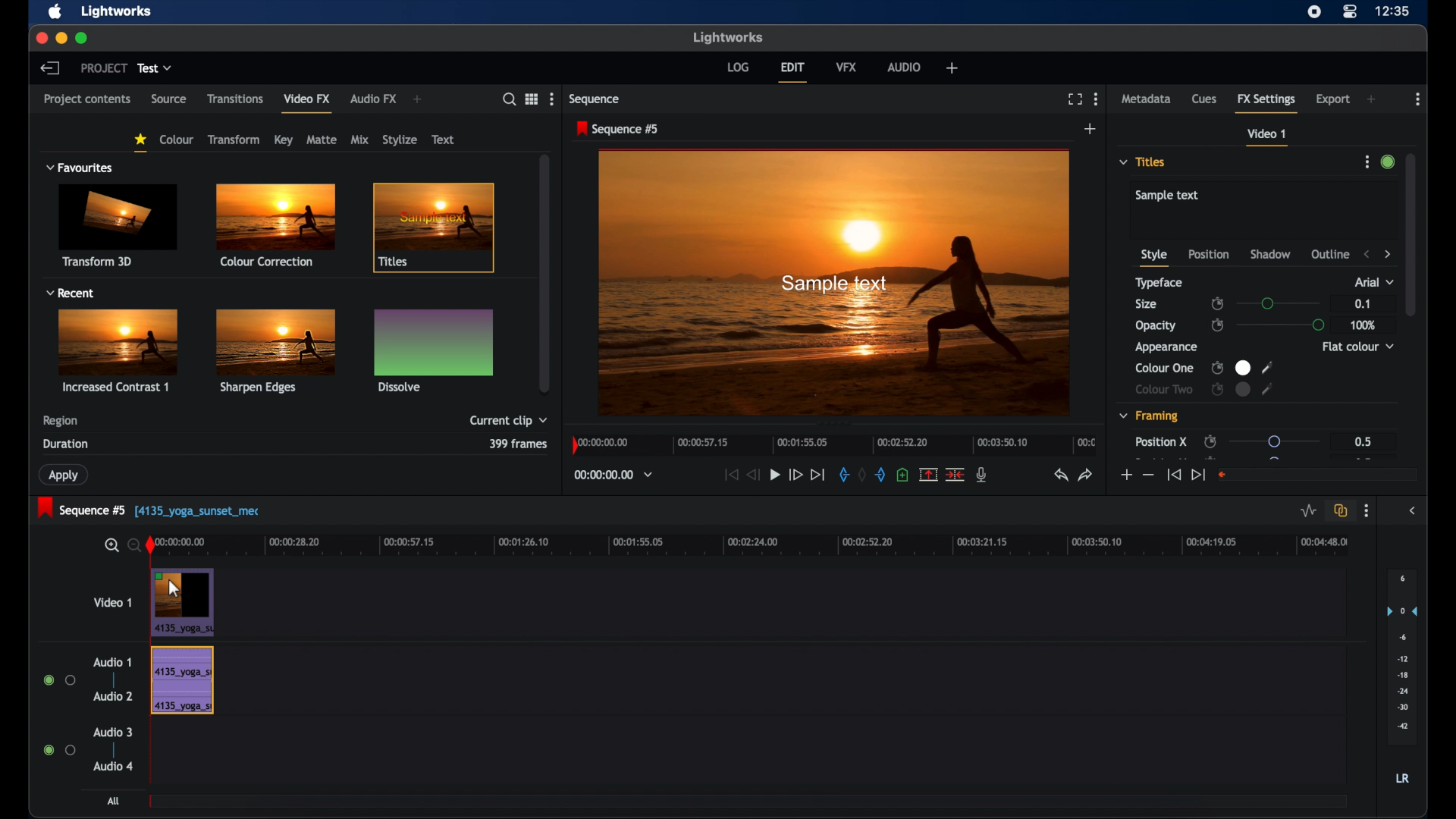 This screenshot has height=819, width=1456. What do you see at coordinates (169, 99) in the screenshot?
I see `source` at bounding box center [169, 99].